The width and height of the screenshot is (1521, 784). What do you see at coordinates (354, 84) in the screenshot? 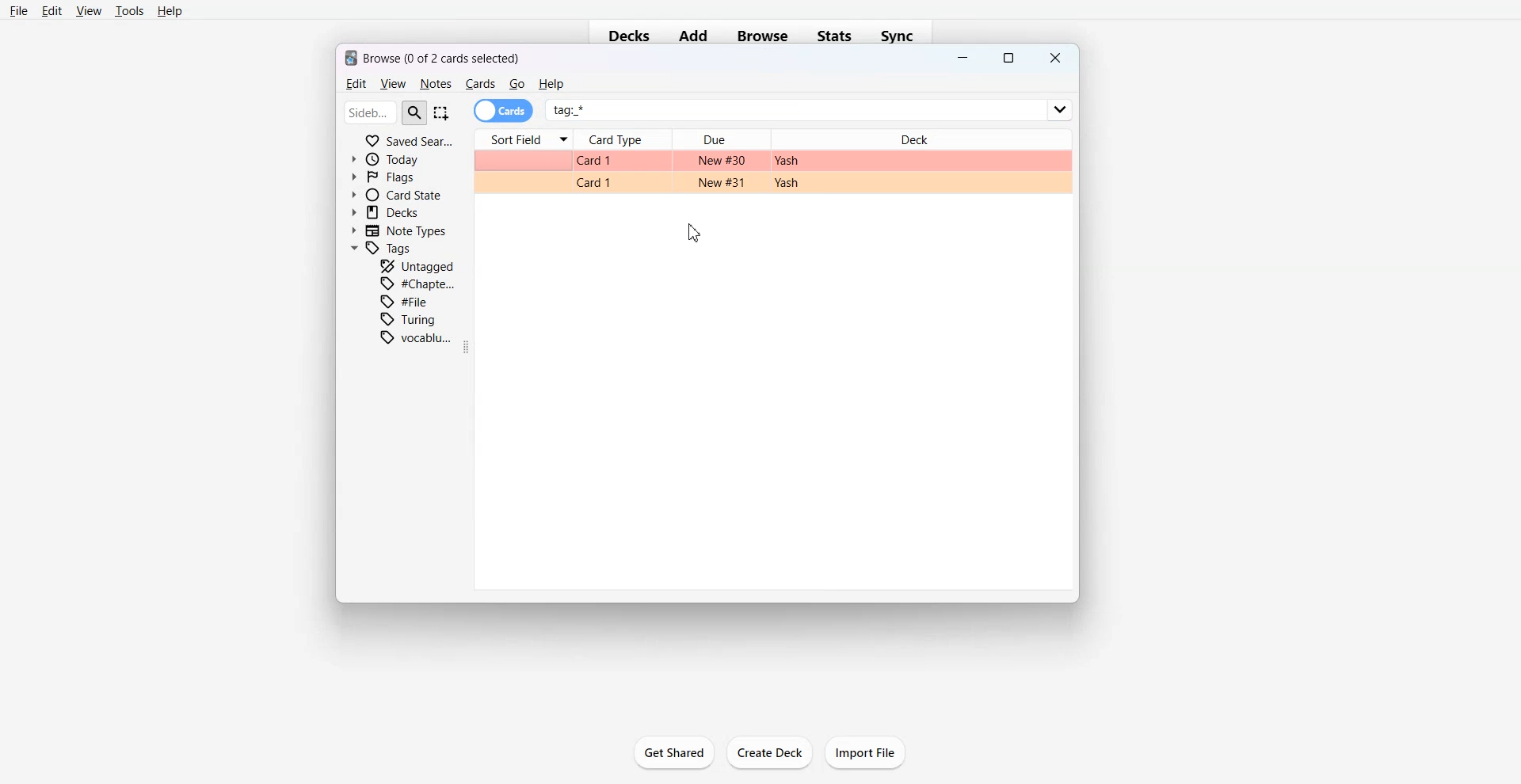
I see `Edit` at bounding box center [354, 84].